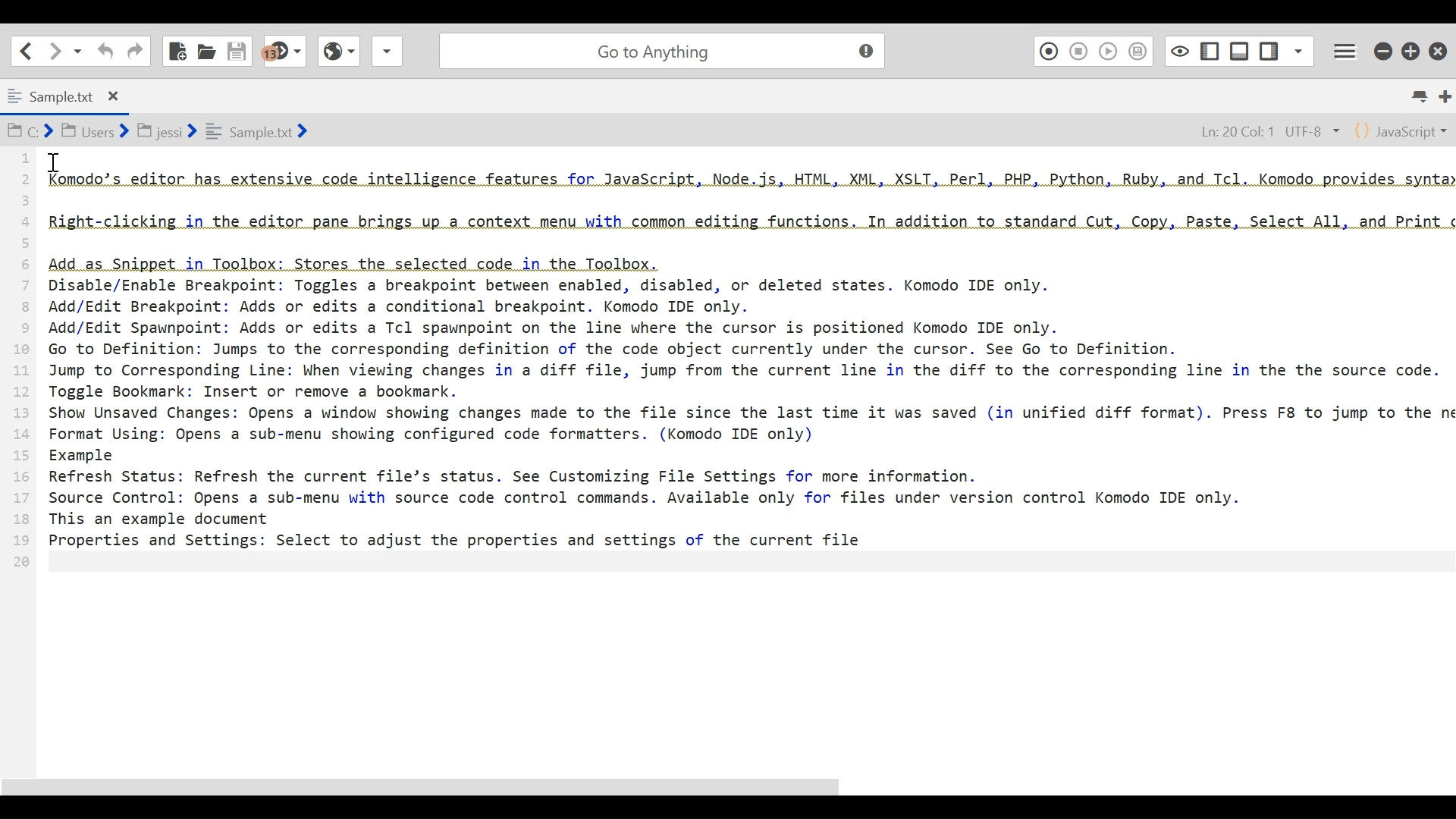 This screenshot has width=1456, height=819. Describe the element at coordinates (1423, 96) in the screenshot. I see `List all tabs` at that location.